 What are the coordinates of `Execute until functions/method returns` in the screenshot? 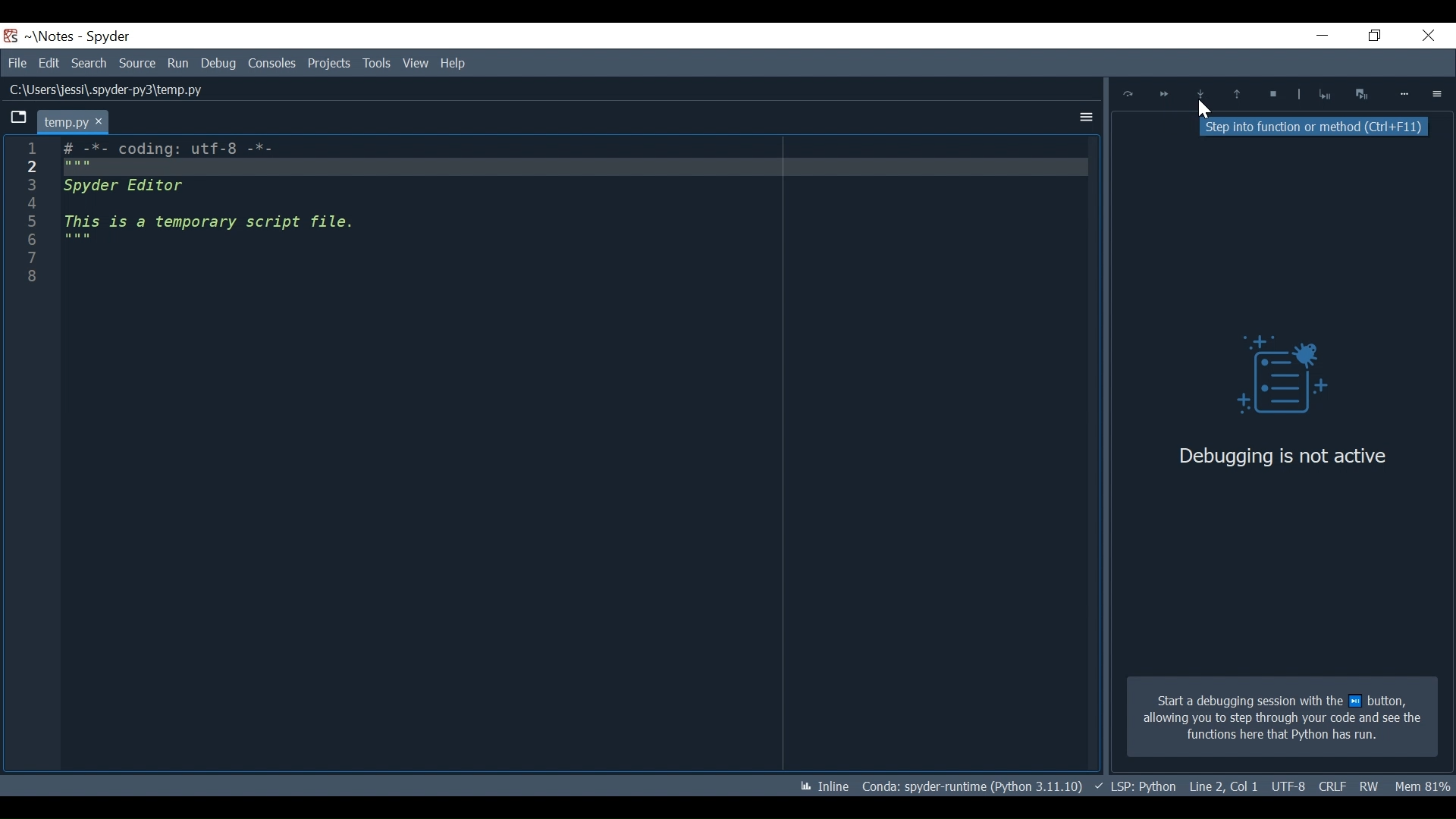 It's located at (1235, 96).